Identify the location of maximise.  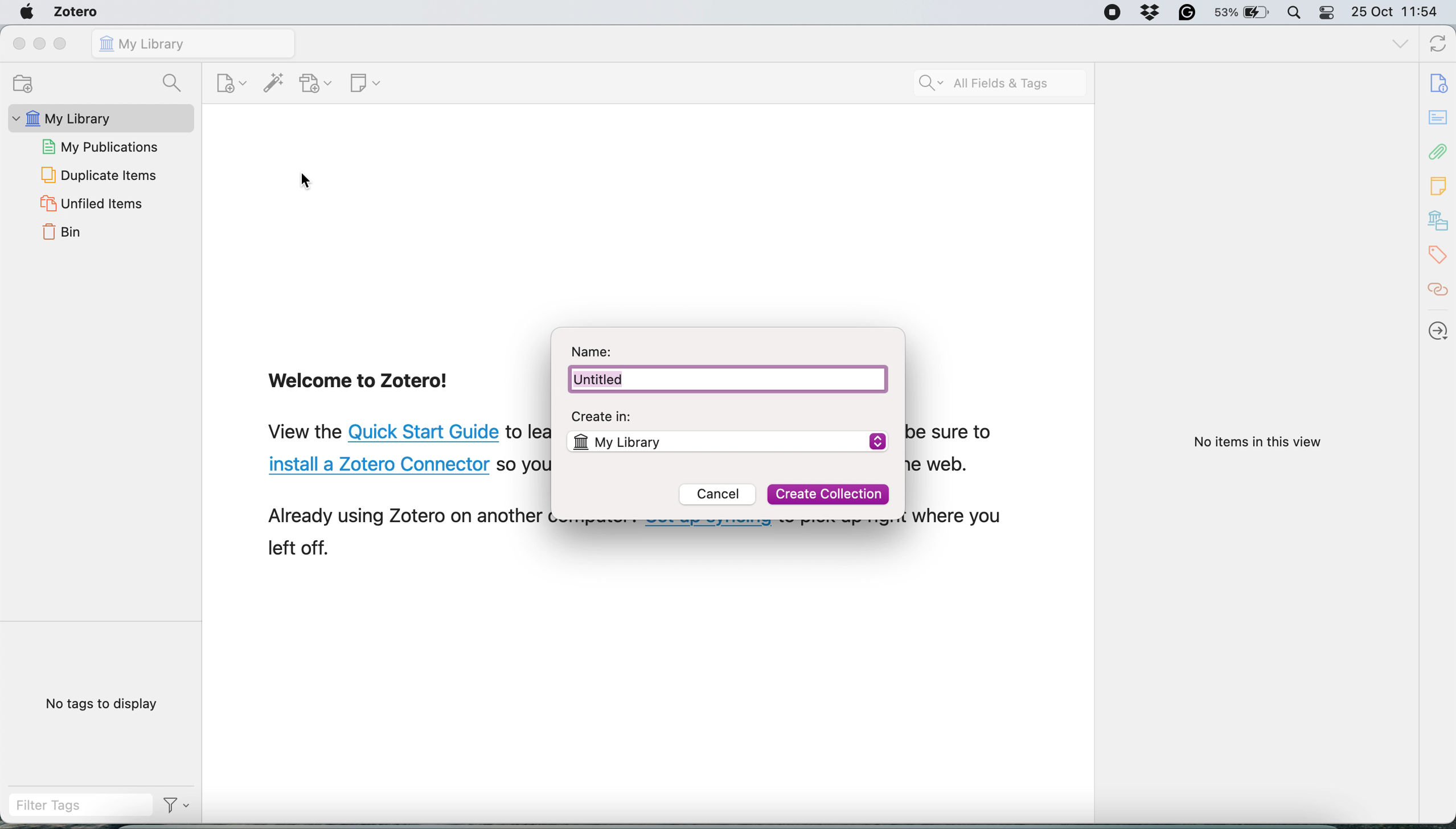
(61, 43).